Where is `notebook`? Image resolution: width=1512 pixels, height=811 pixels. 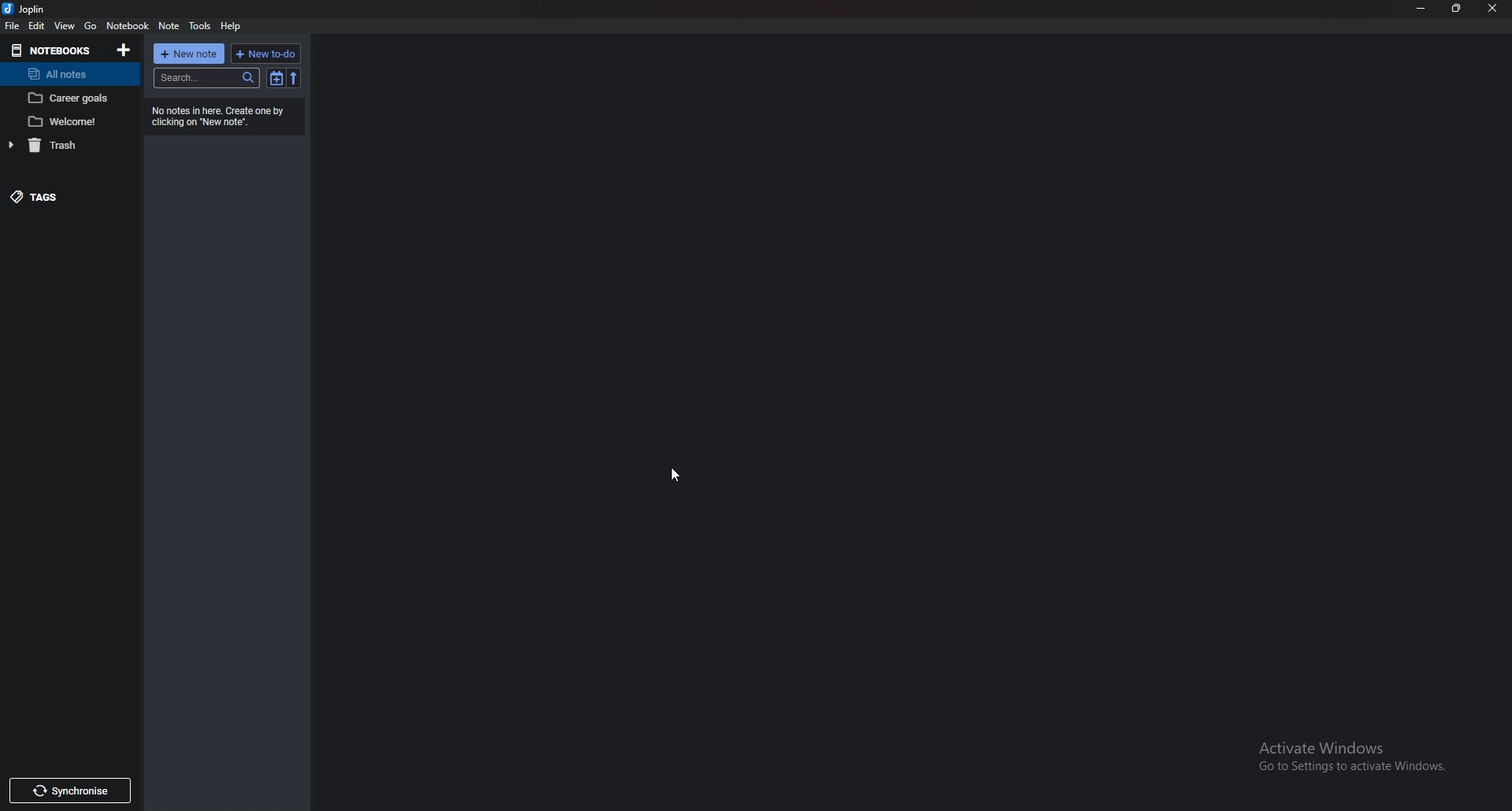
notebook is located at coordinates (127, 26).